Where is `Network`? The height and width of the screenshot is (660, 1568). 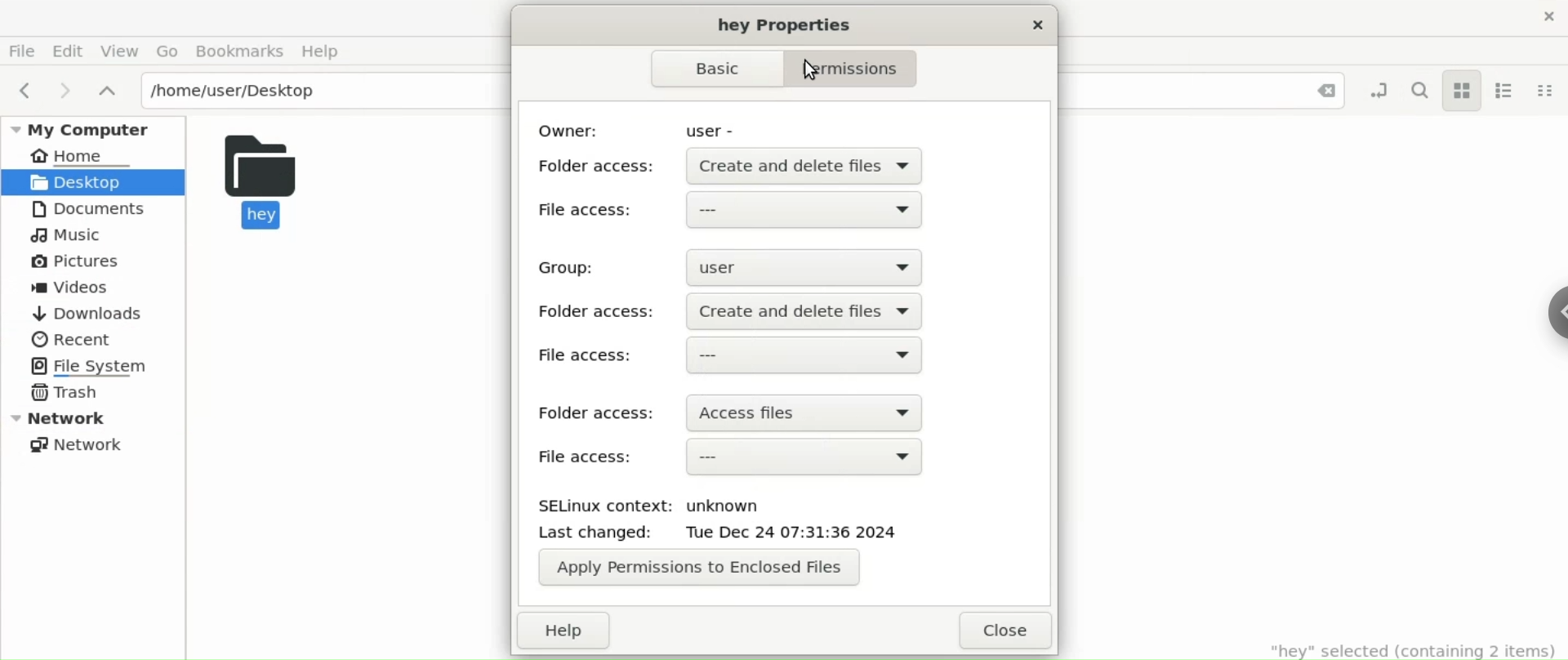
Network is located at coordinates (75, 444).